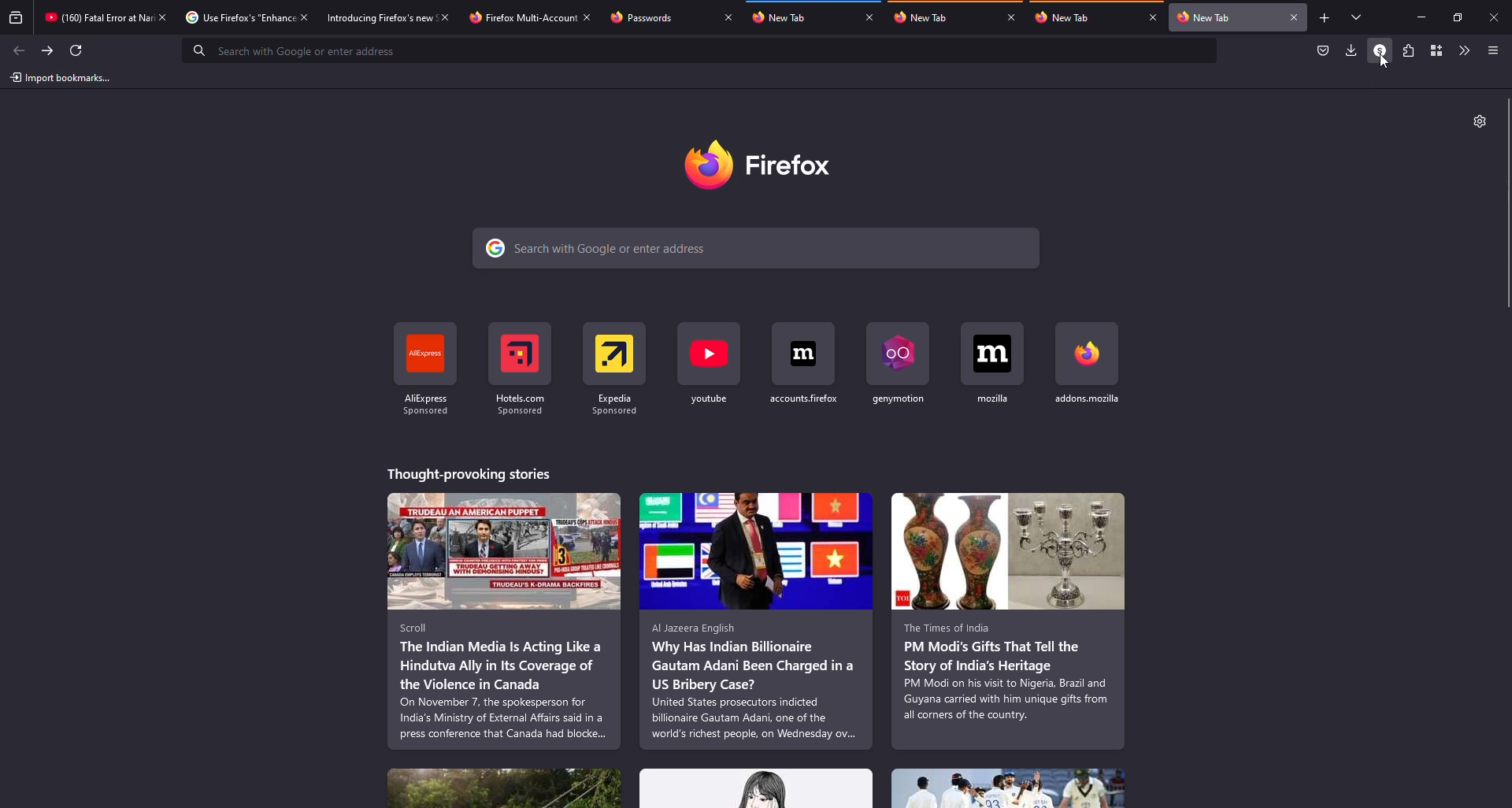  What do you see at coordinates (369, 17) in the screenshot?
I see `tab` at bounding box center [369, 17].